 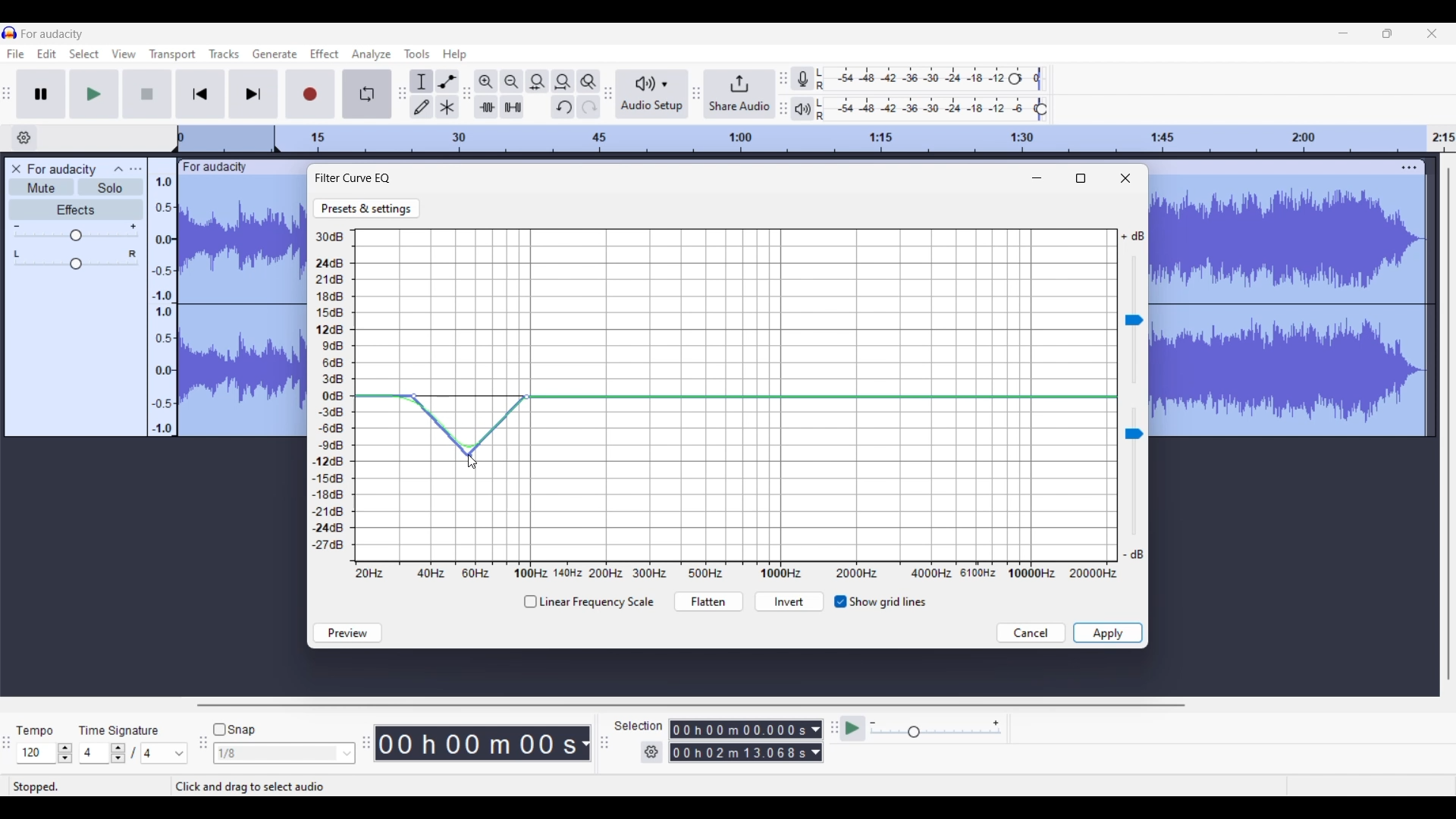 I want to click on Show interface in a smaller tab, so click(x=1387, y=33).